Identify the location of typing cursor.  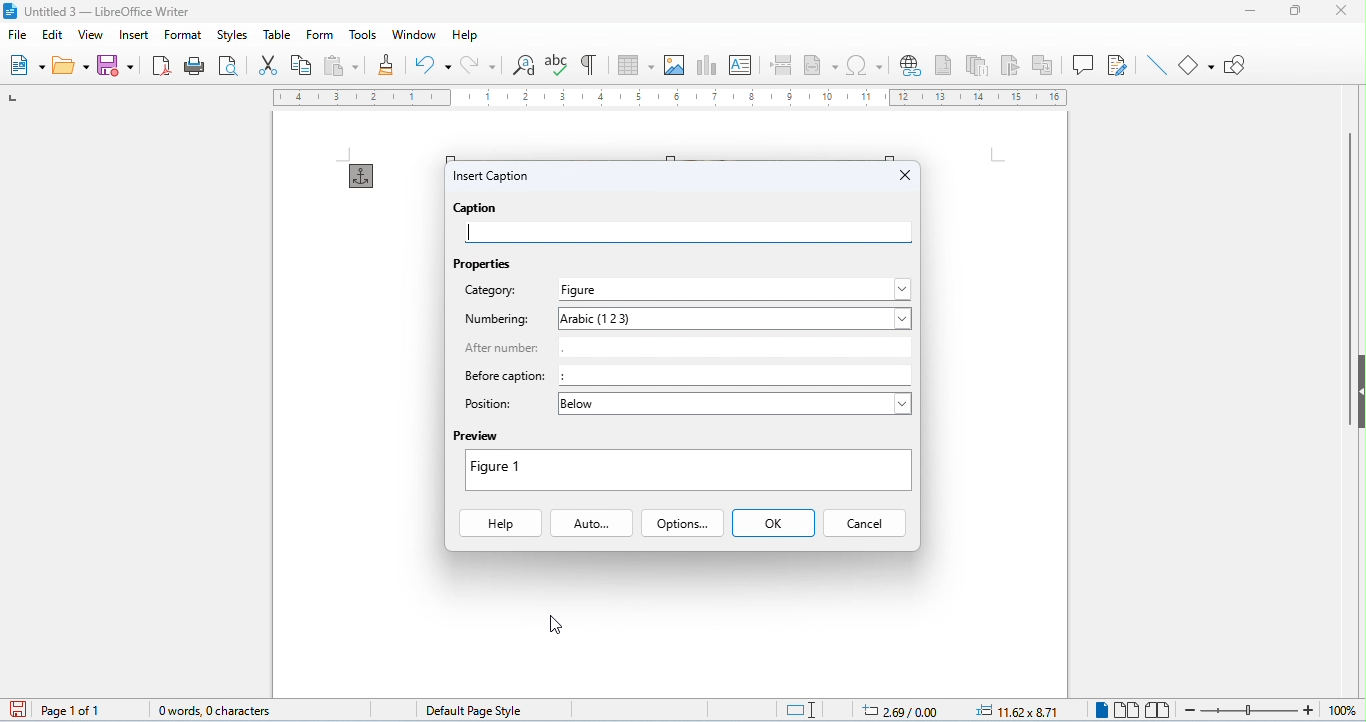
(470, 231).